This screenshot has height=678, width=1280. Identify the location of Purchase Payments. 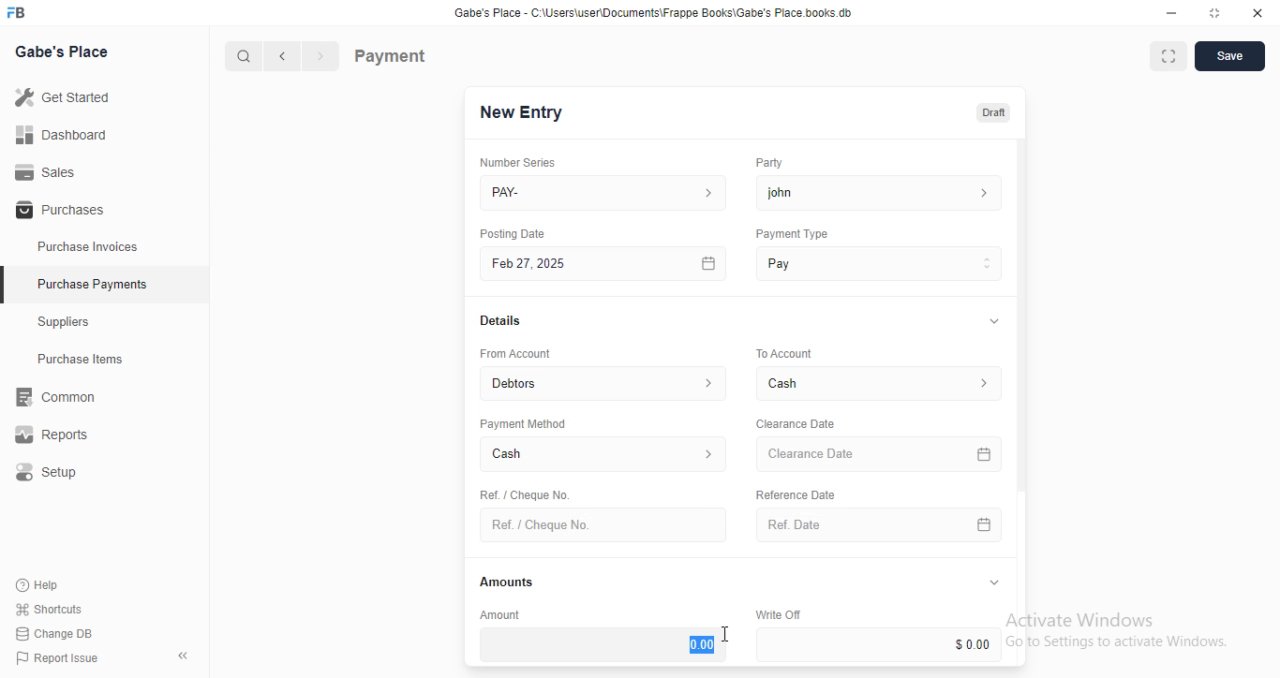
(91, 284).